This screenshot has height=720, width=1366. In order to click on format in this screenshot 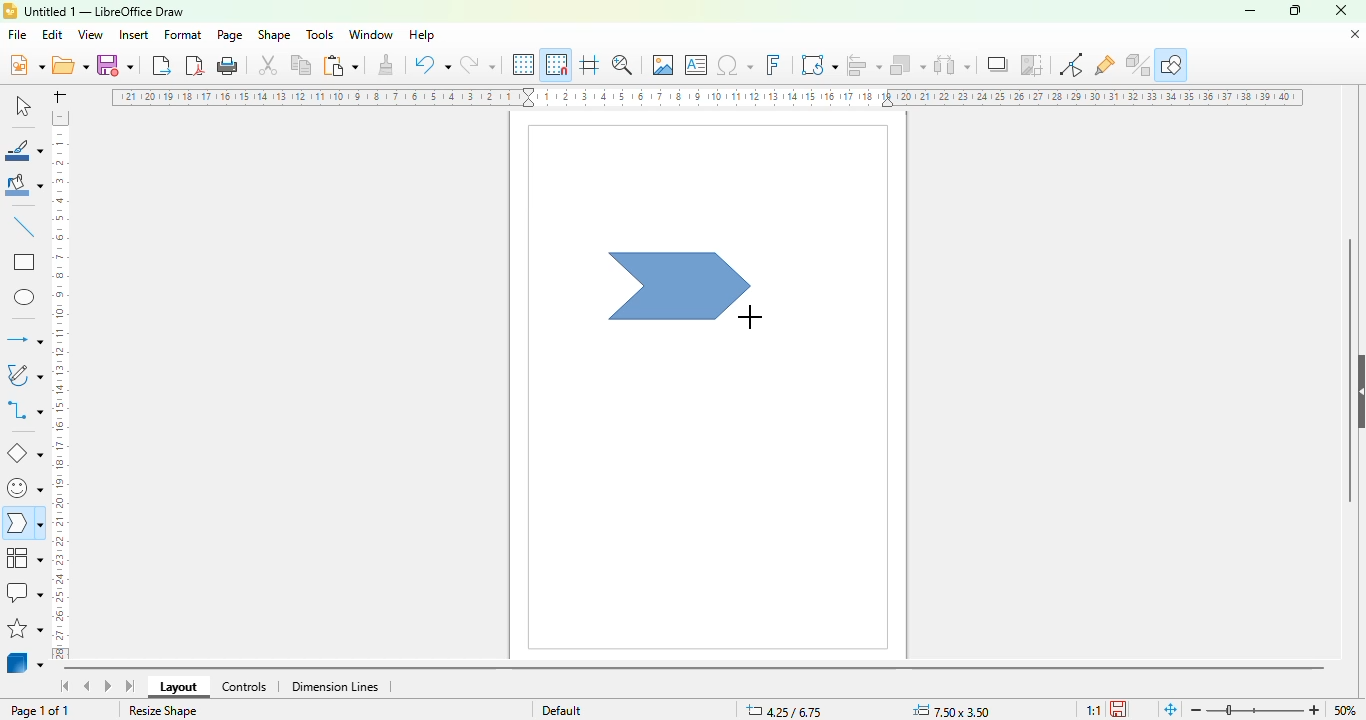, I will do `click(184, 34)`.